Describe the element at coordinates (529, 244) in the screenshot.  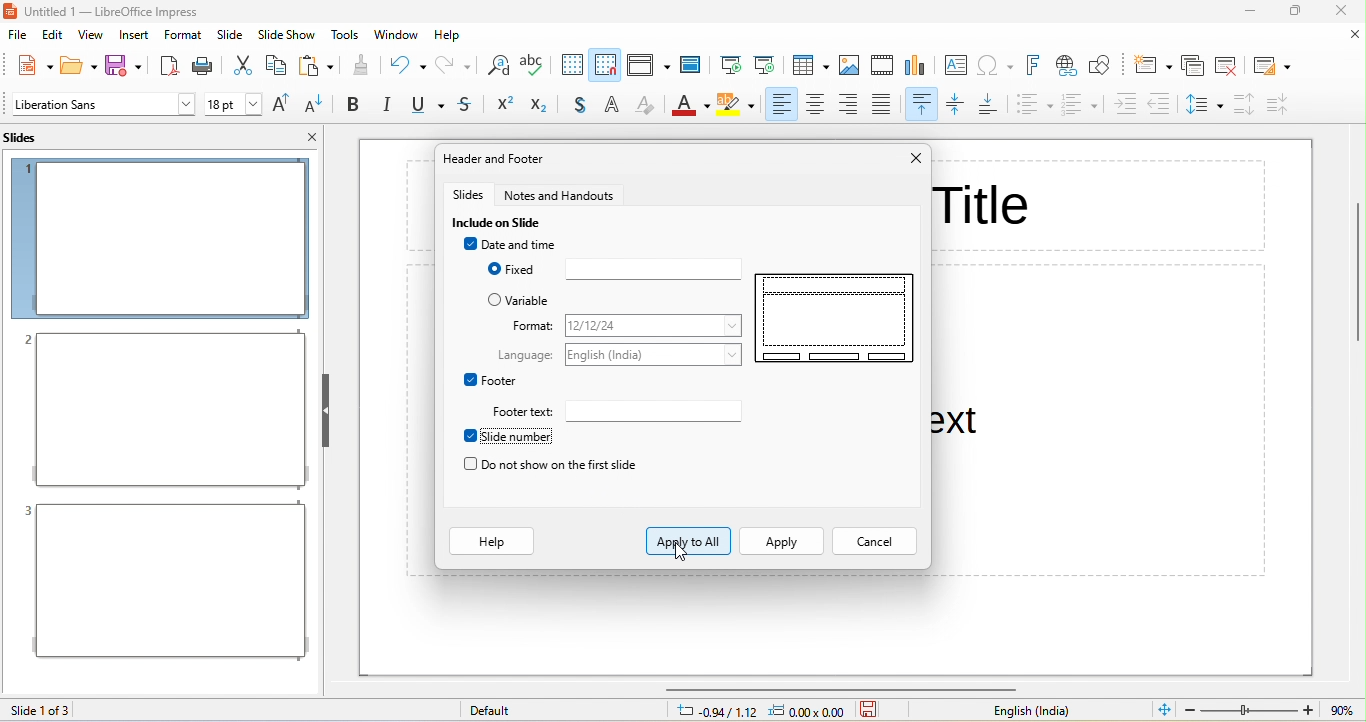
I see `date and time` at that location.